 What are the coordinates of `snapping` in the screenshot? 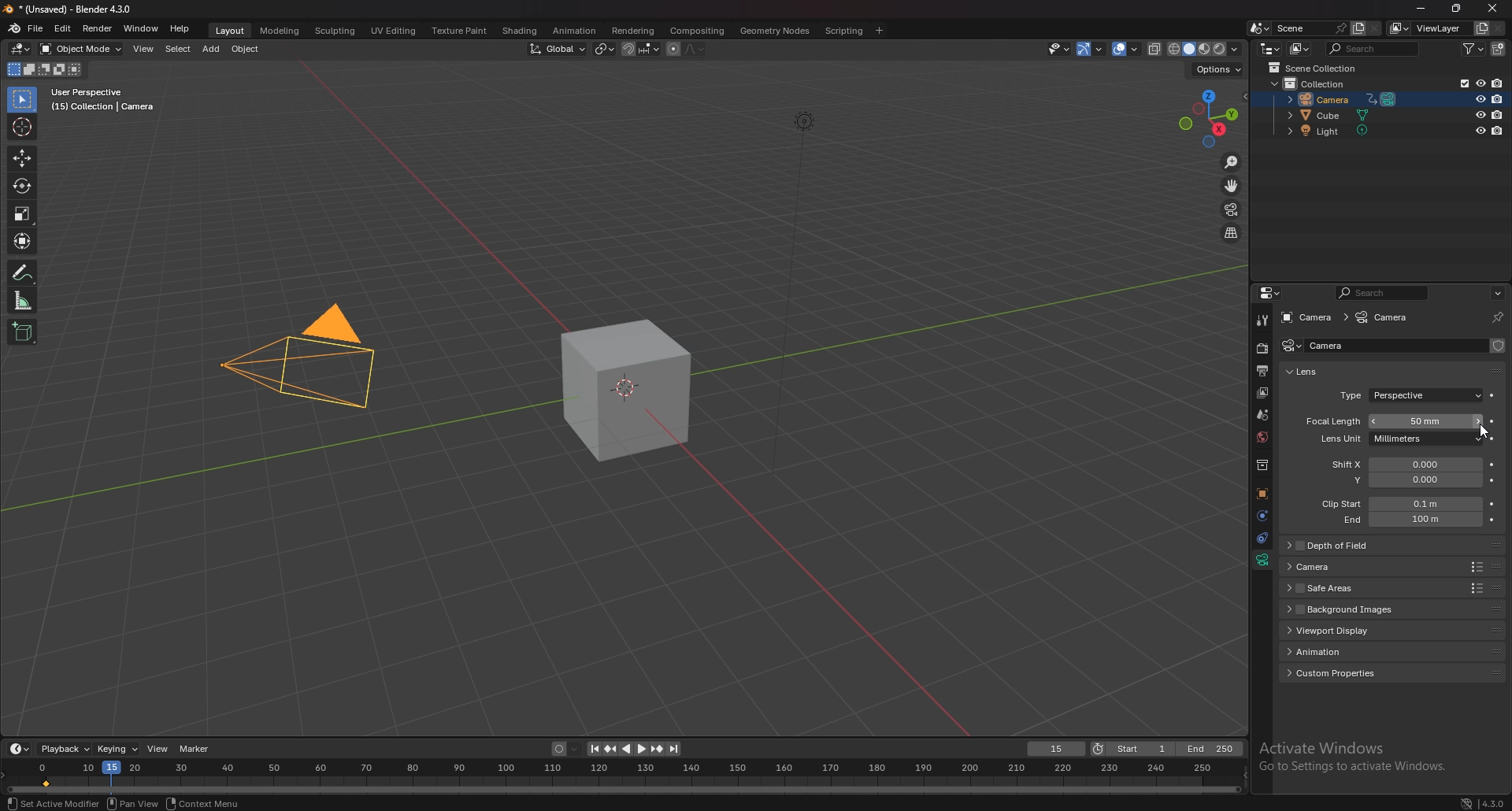 It's located at (640, 48).